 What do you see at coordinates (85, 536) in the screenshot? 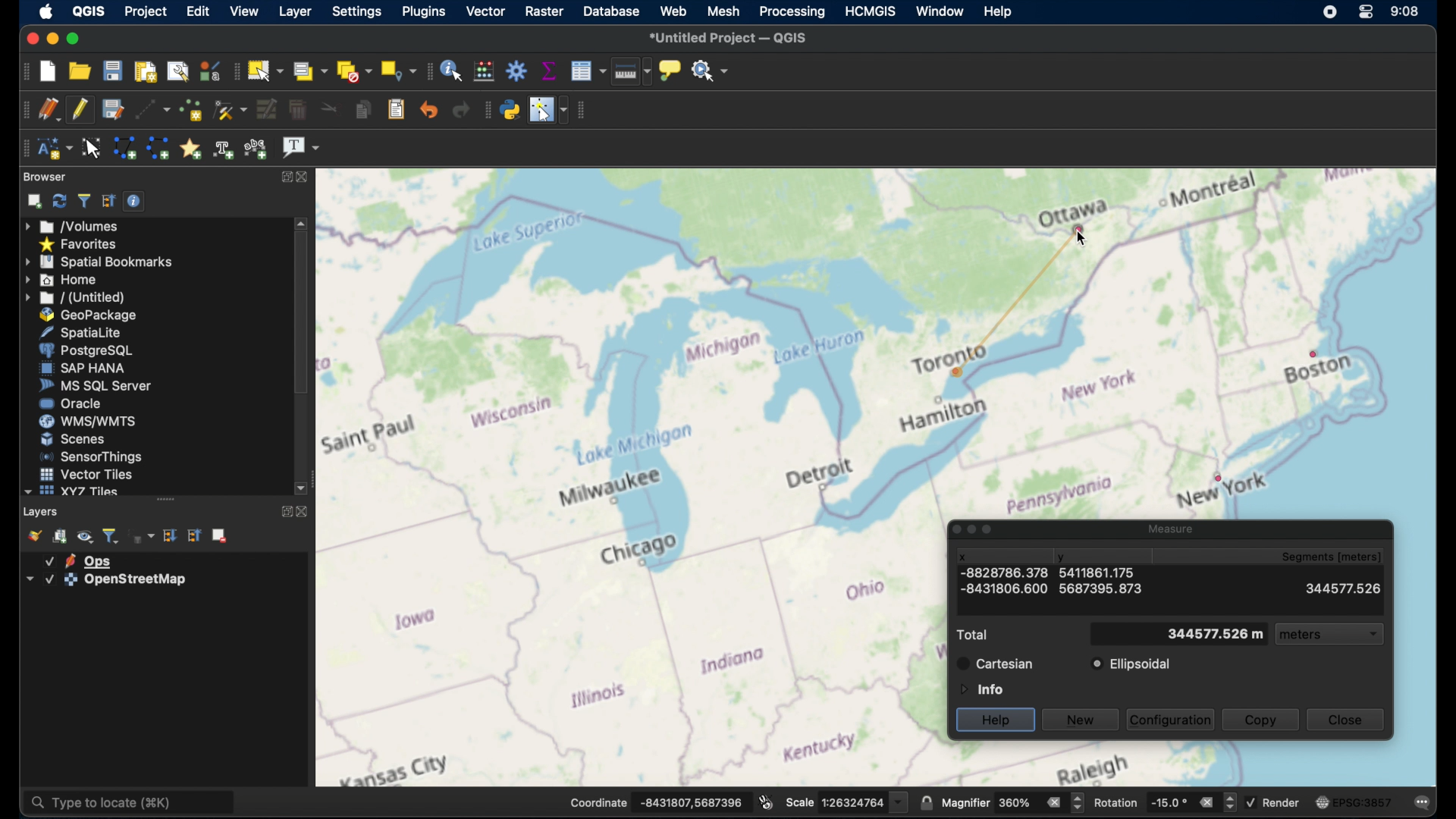
I see `manage map themes` at bounding box center [85, 536].